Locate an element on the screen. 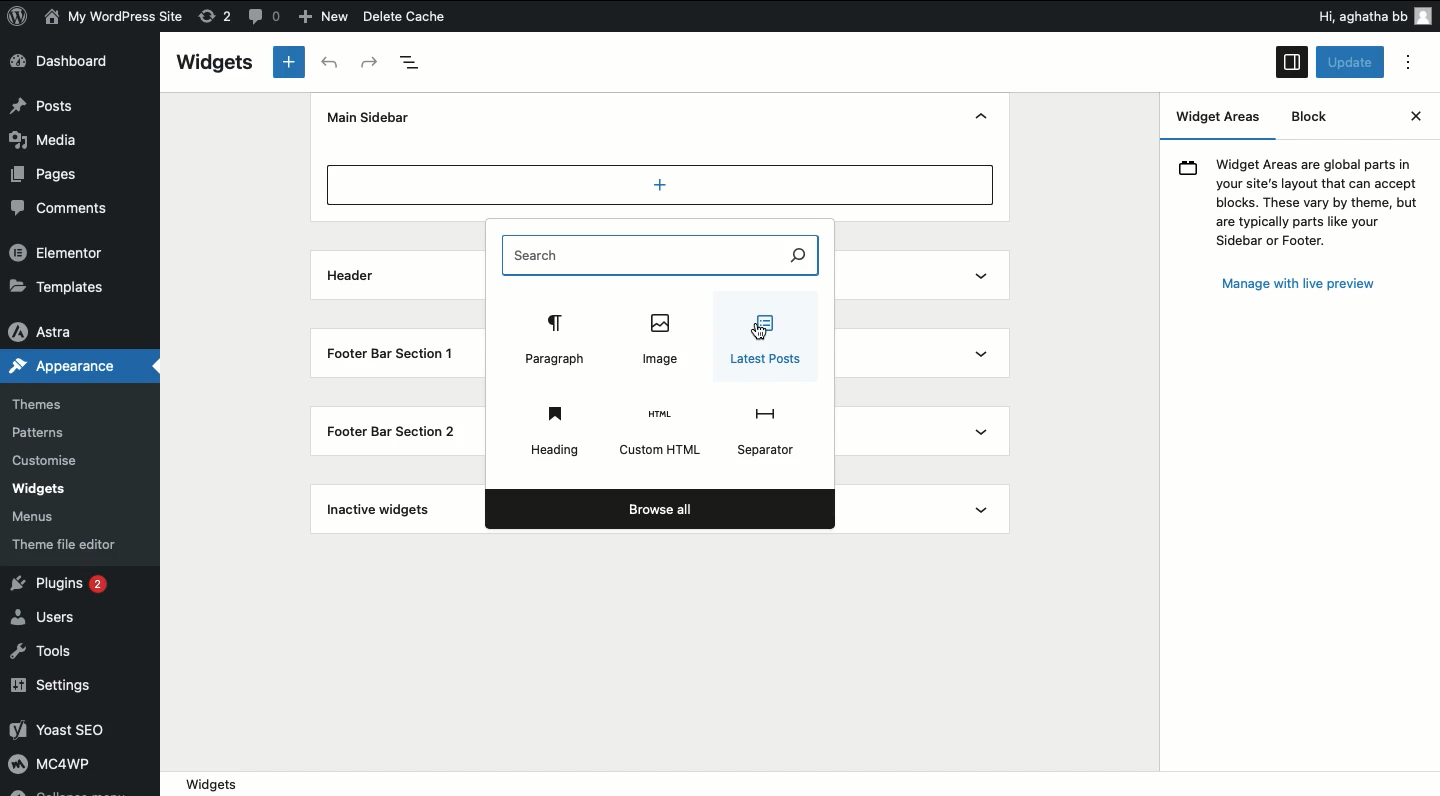   Yoast SEO  is located at coordinates (72, 726).